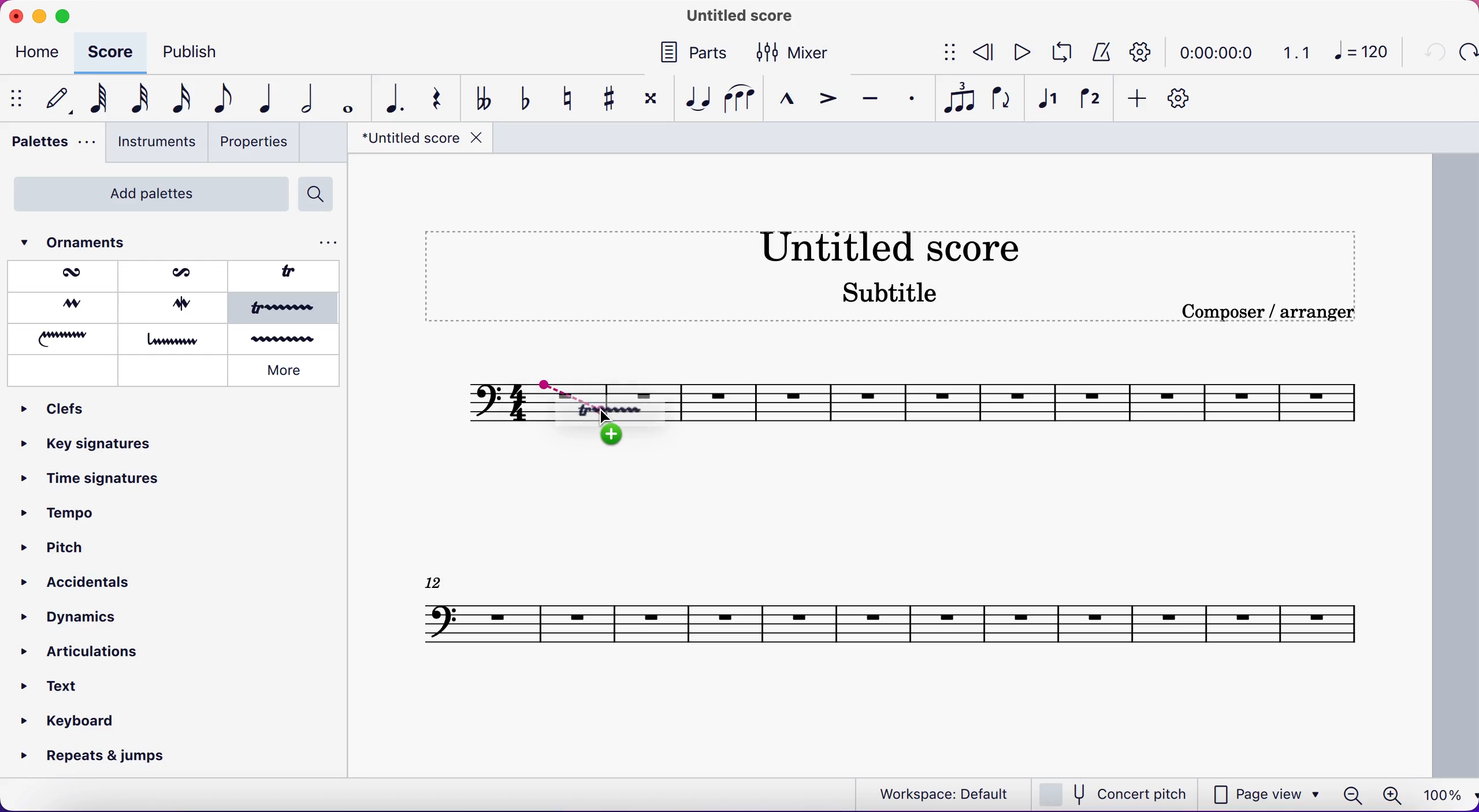  Describe the element at coordinates (72, 720) in the screenshot. I see `keyboard` at that location.